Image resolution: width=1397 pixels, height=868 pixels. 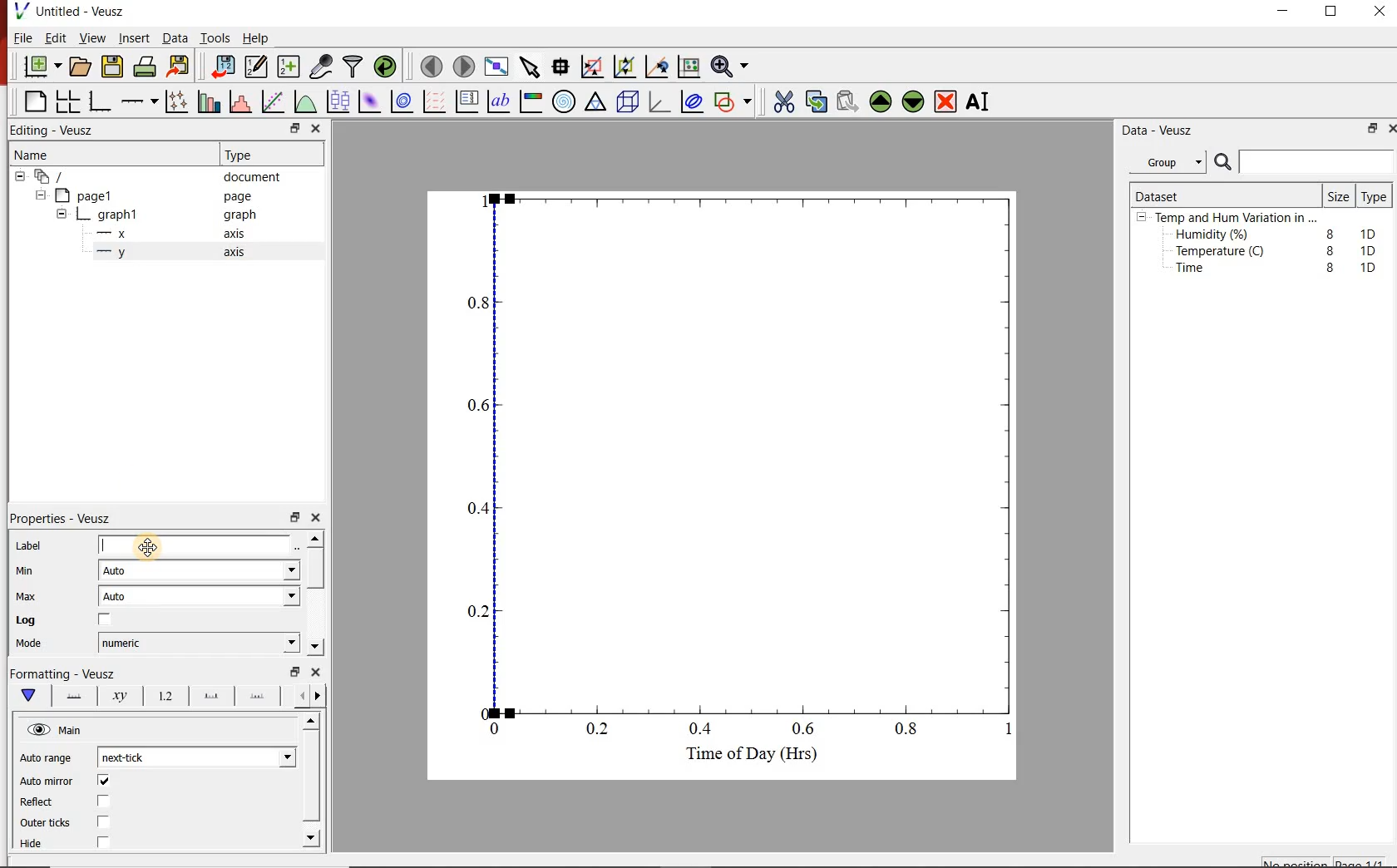 I want to click on capture remote data, so click(x=320, y=65).